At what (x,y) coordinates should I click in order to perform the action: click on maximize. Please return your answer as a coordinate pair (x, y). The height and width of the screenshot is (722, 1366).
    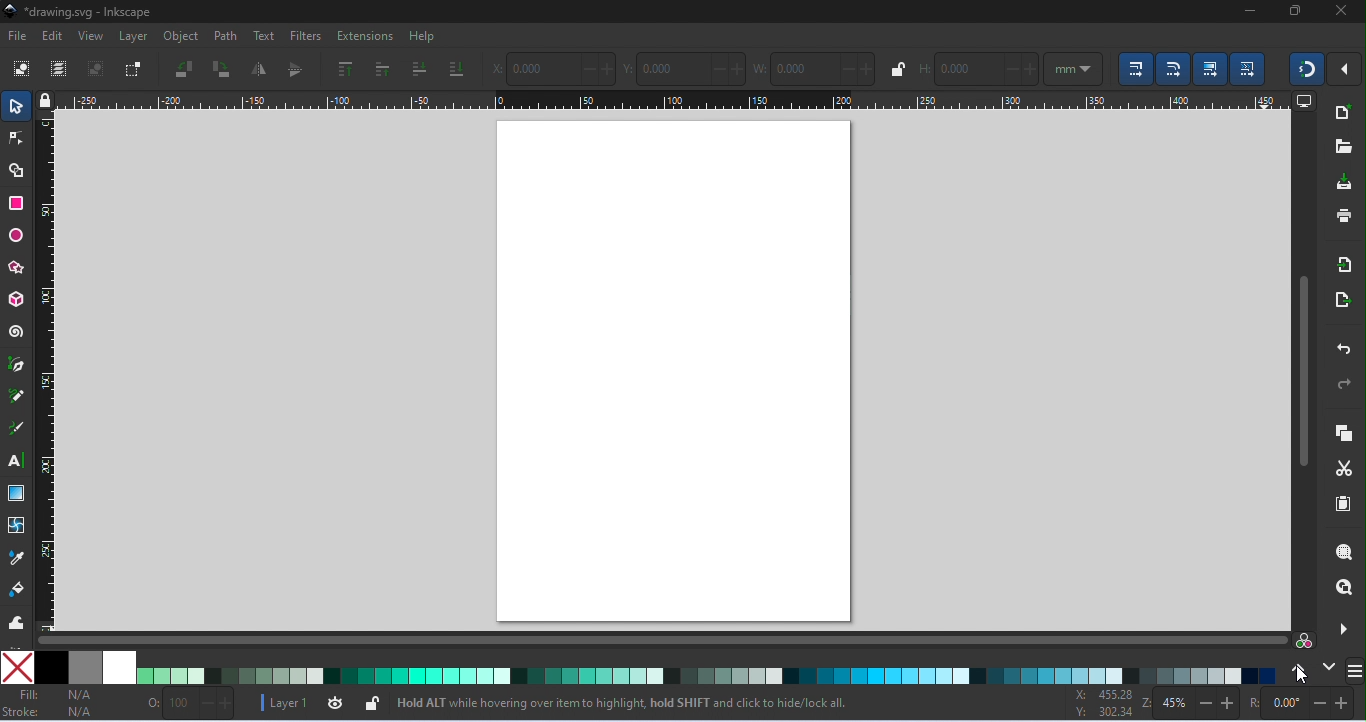
    Looking at the image, I should click on (1299, 13).